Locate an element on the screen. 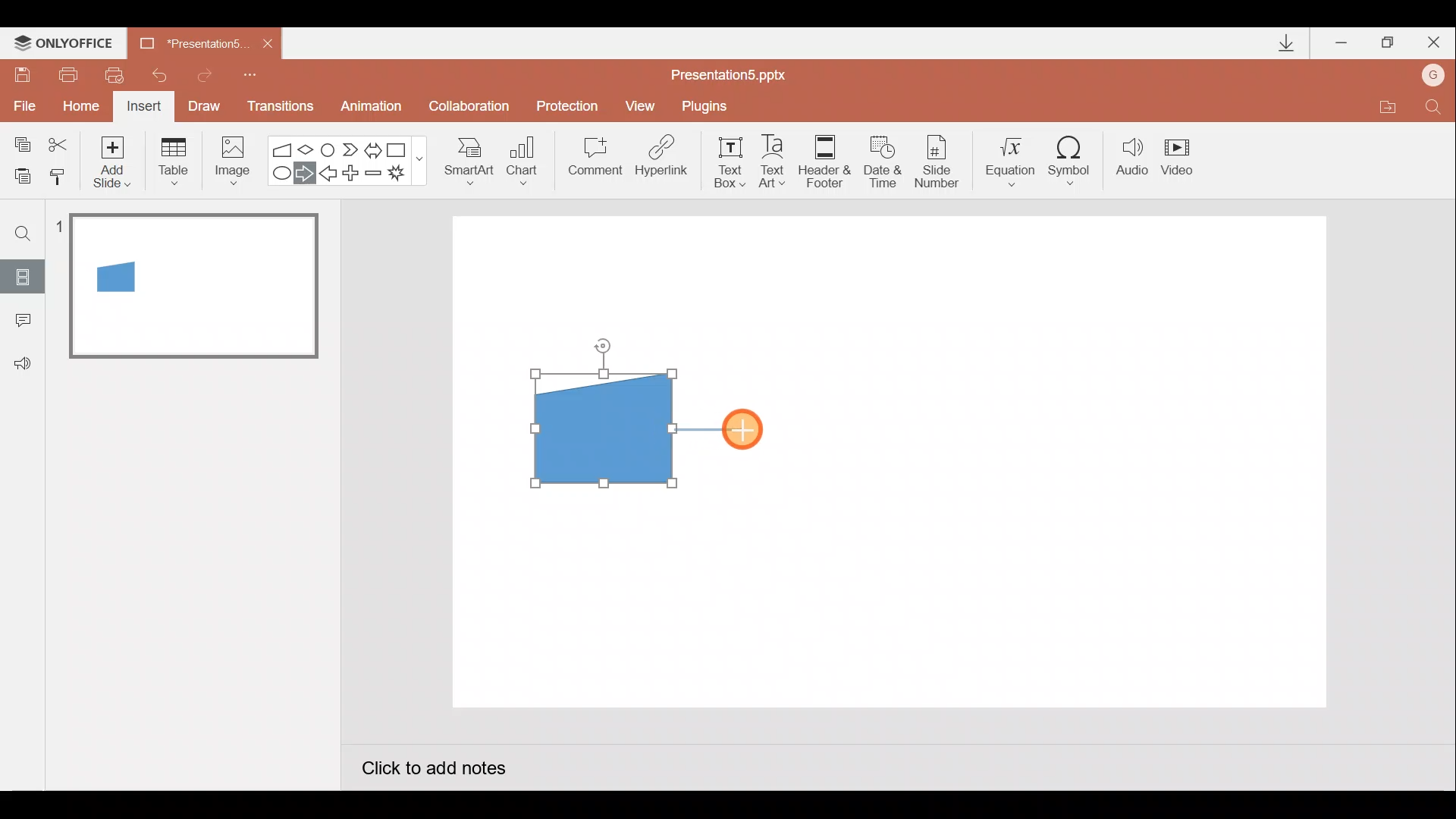 The image size is (1456, 819). Left right arrow is located at coordinates (375, 147).